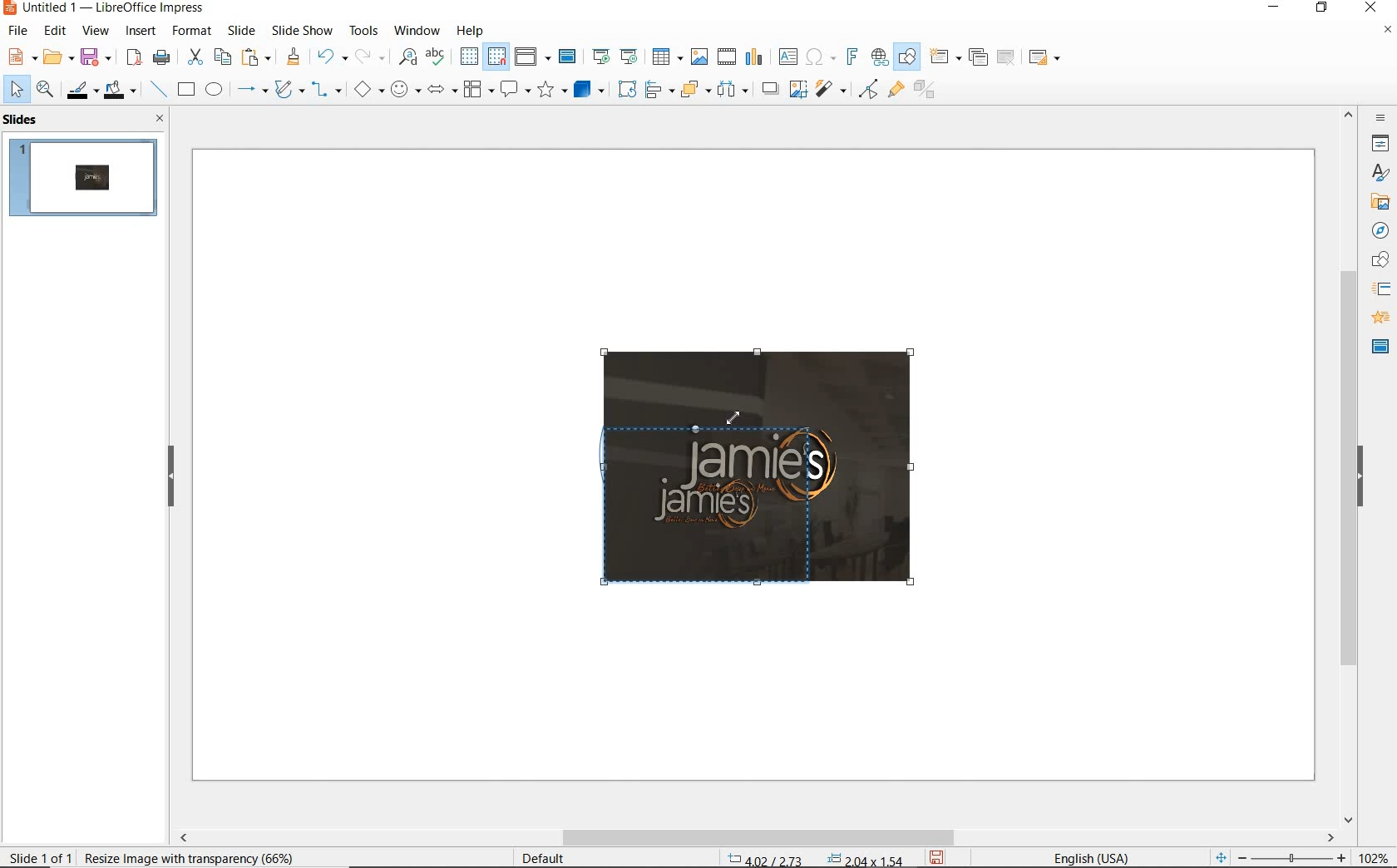  Describe the element at coordinates (155, 118) in the screenshot. I see `close` at that location.